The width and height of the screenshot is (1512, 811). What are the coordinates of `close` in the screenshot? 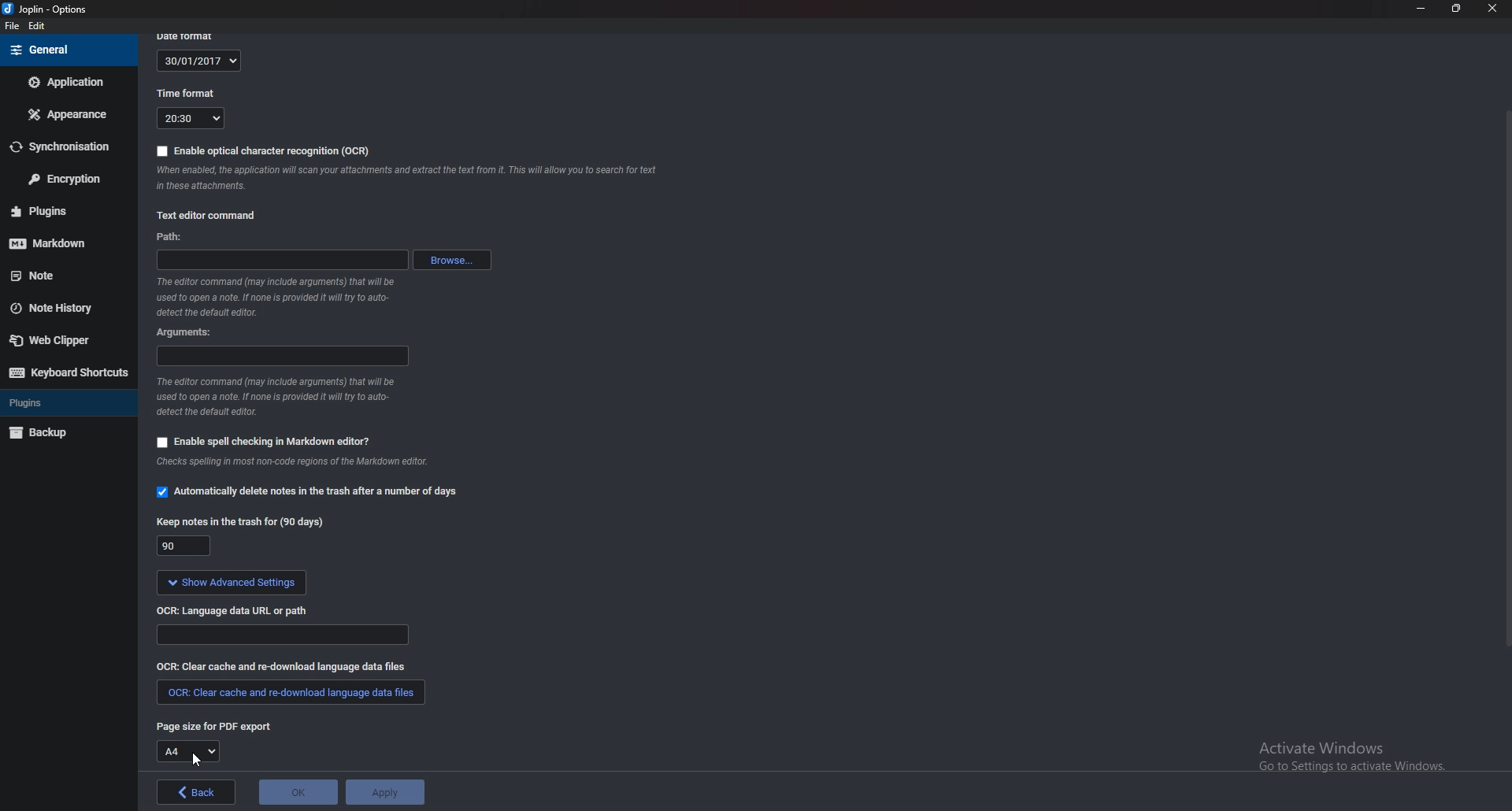 It's located at (1490, 8).